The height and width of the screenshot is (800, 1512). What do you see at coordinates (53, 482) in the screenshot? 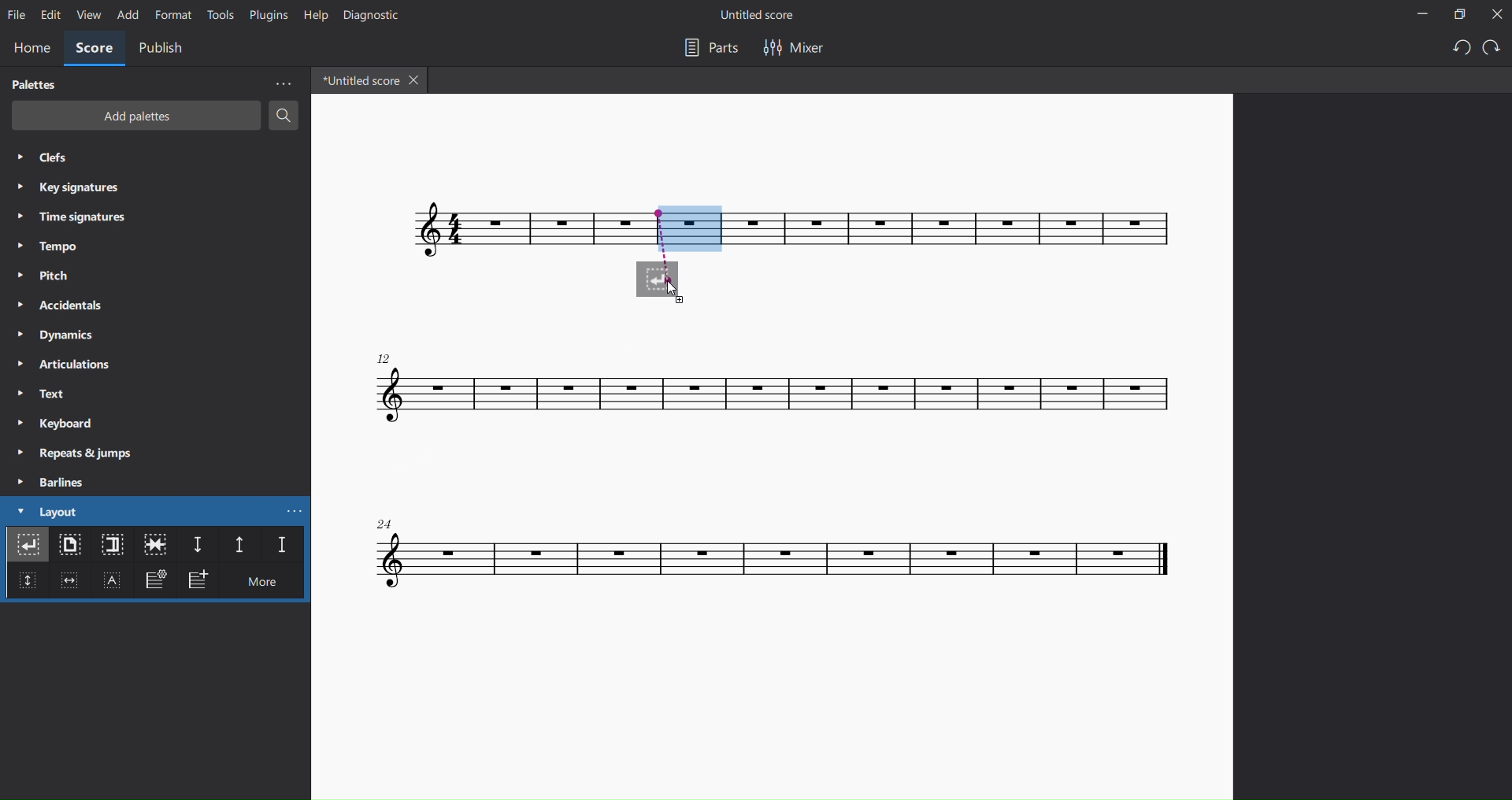
I see `barlines` at bounding box center [53, 482].